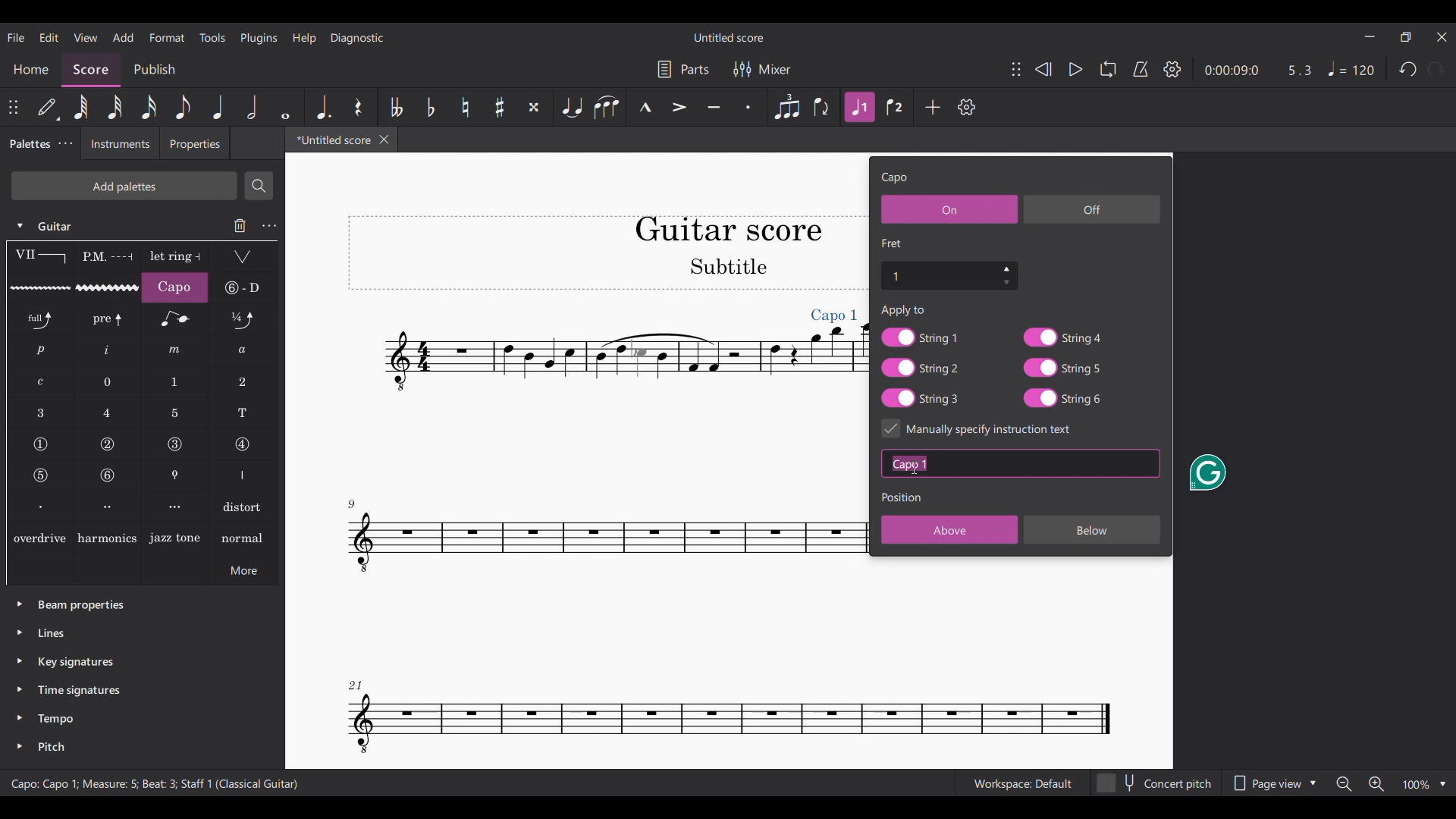 This screenshot has height=819, width=1456. I want to click on Grace note bend, so click(175, 319).